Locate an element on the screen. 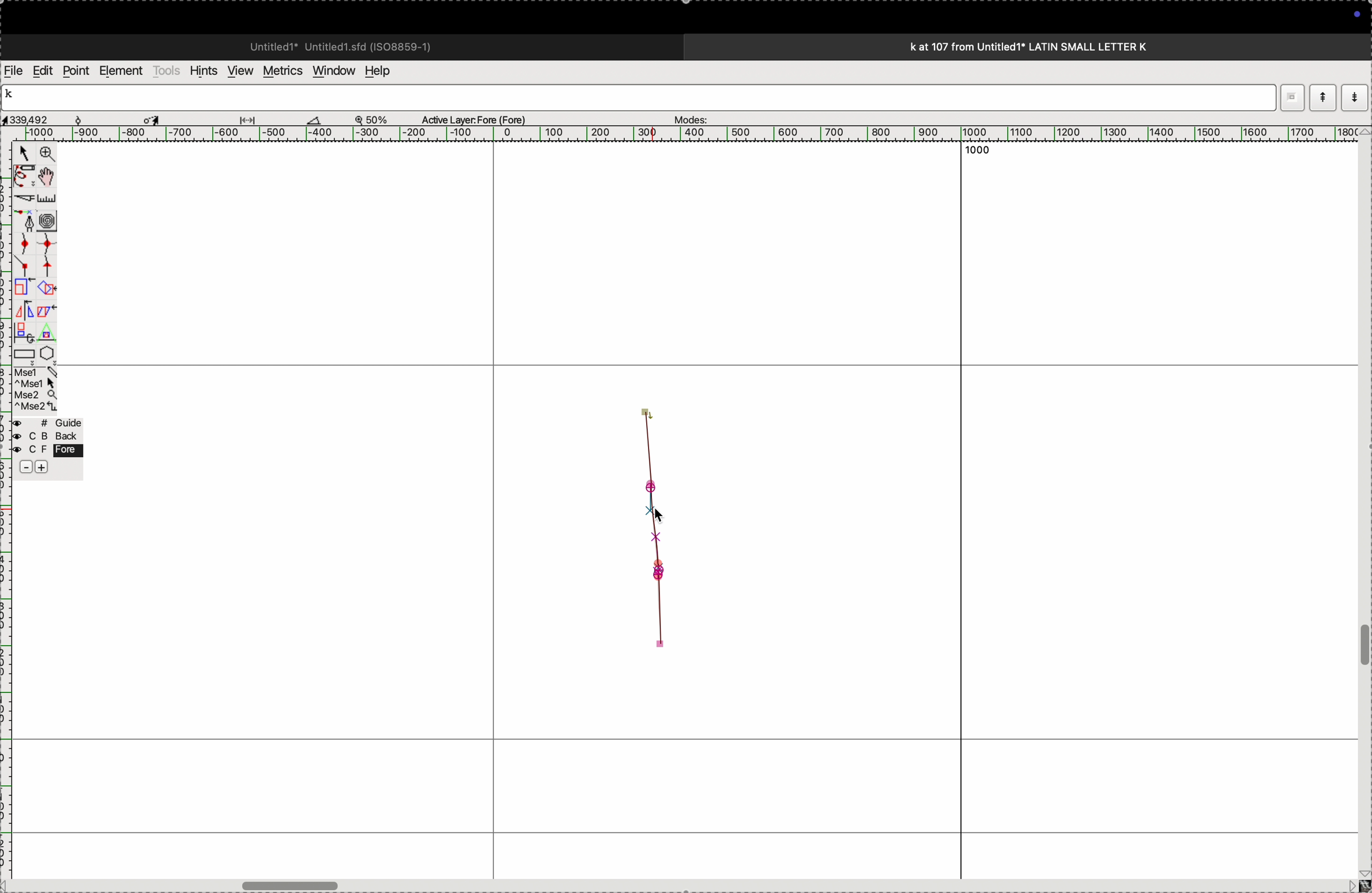 Image resolution: width=1372 pixels, height=893 pixels. co ordinates is located at coordinates (40, 116).